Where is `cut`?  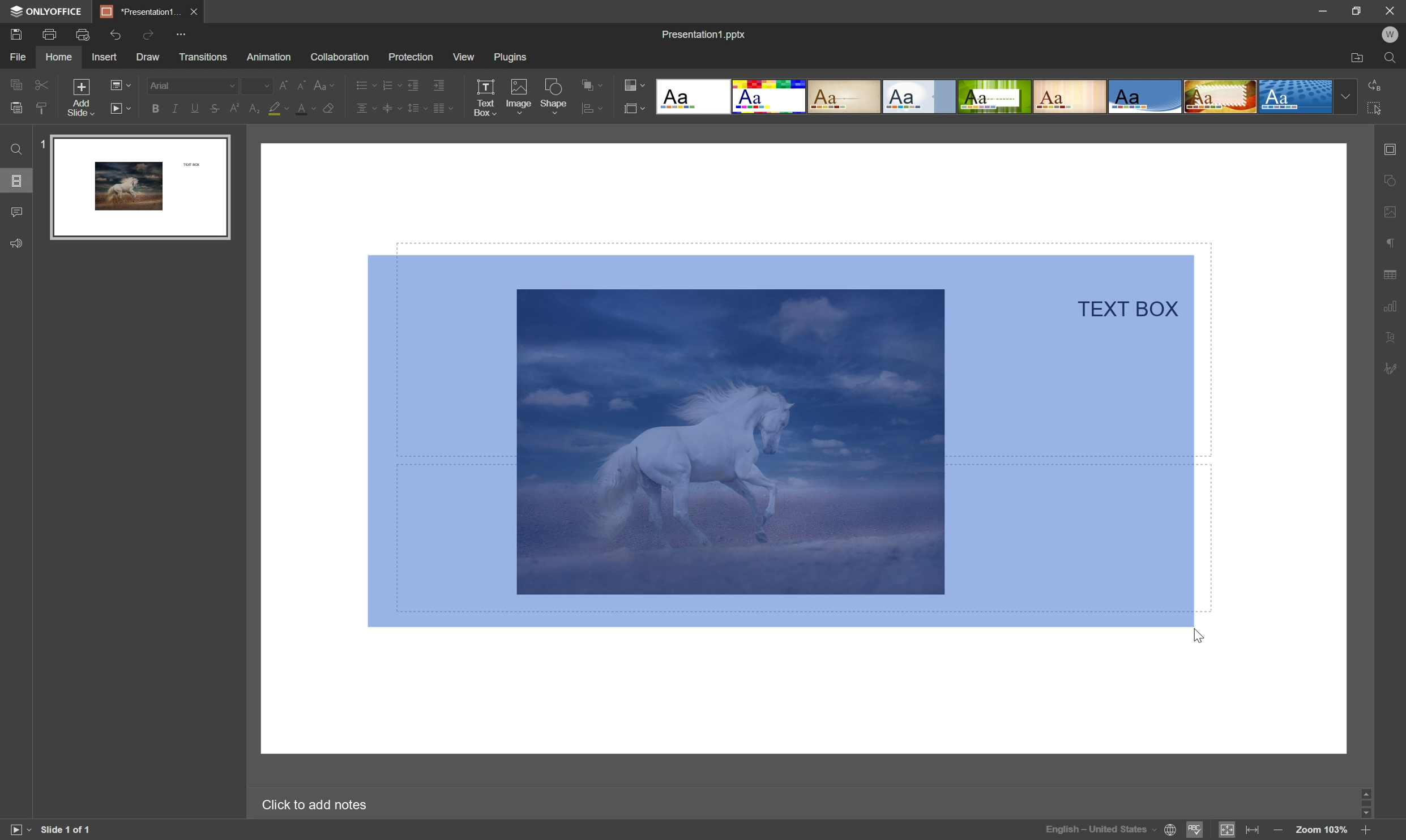
cut is located at coordinates (43, 84).